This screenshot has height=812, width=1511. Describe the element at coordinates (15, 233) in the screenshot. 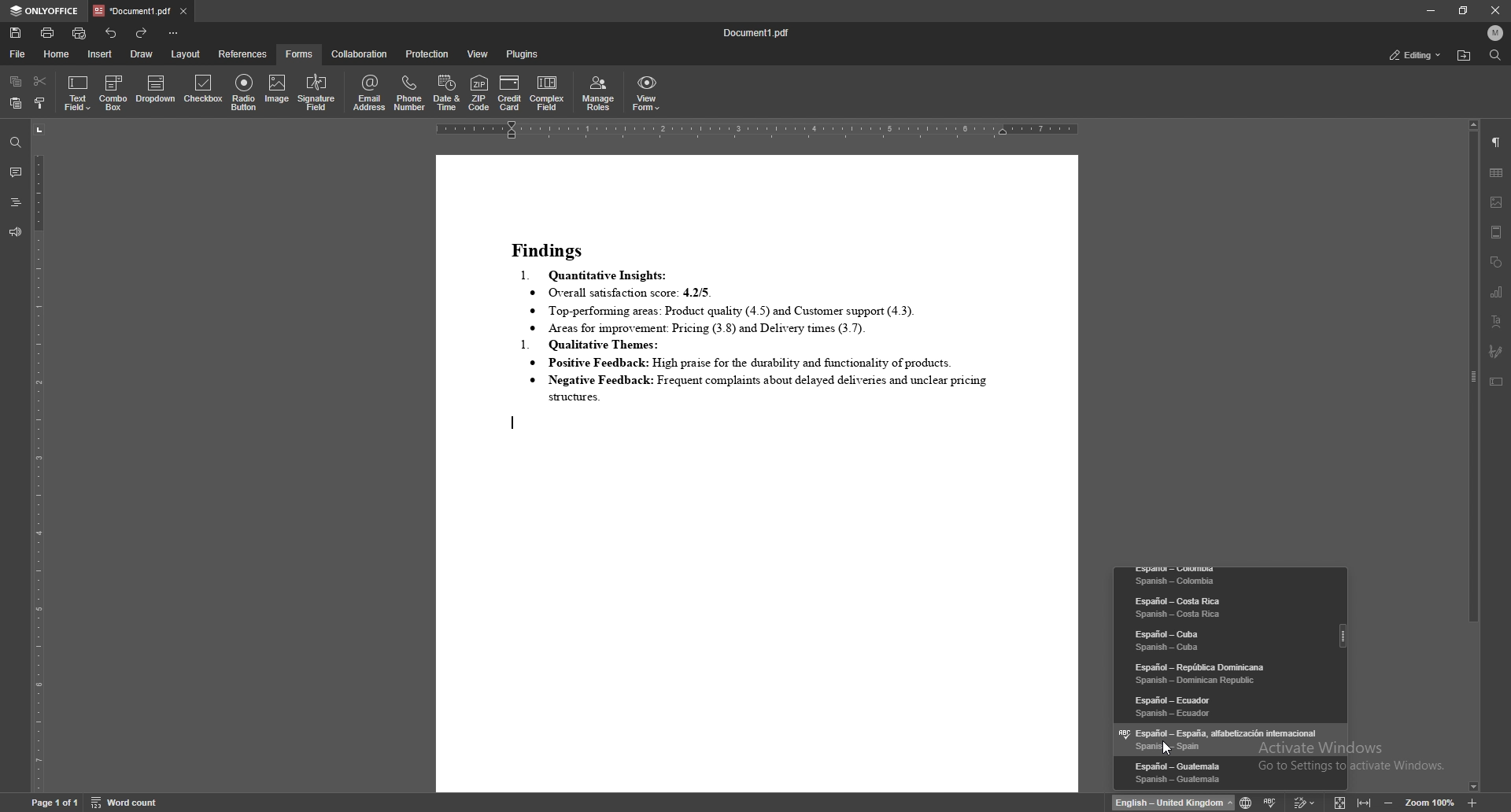

I see `feedback` at that location.